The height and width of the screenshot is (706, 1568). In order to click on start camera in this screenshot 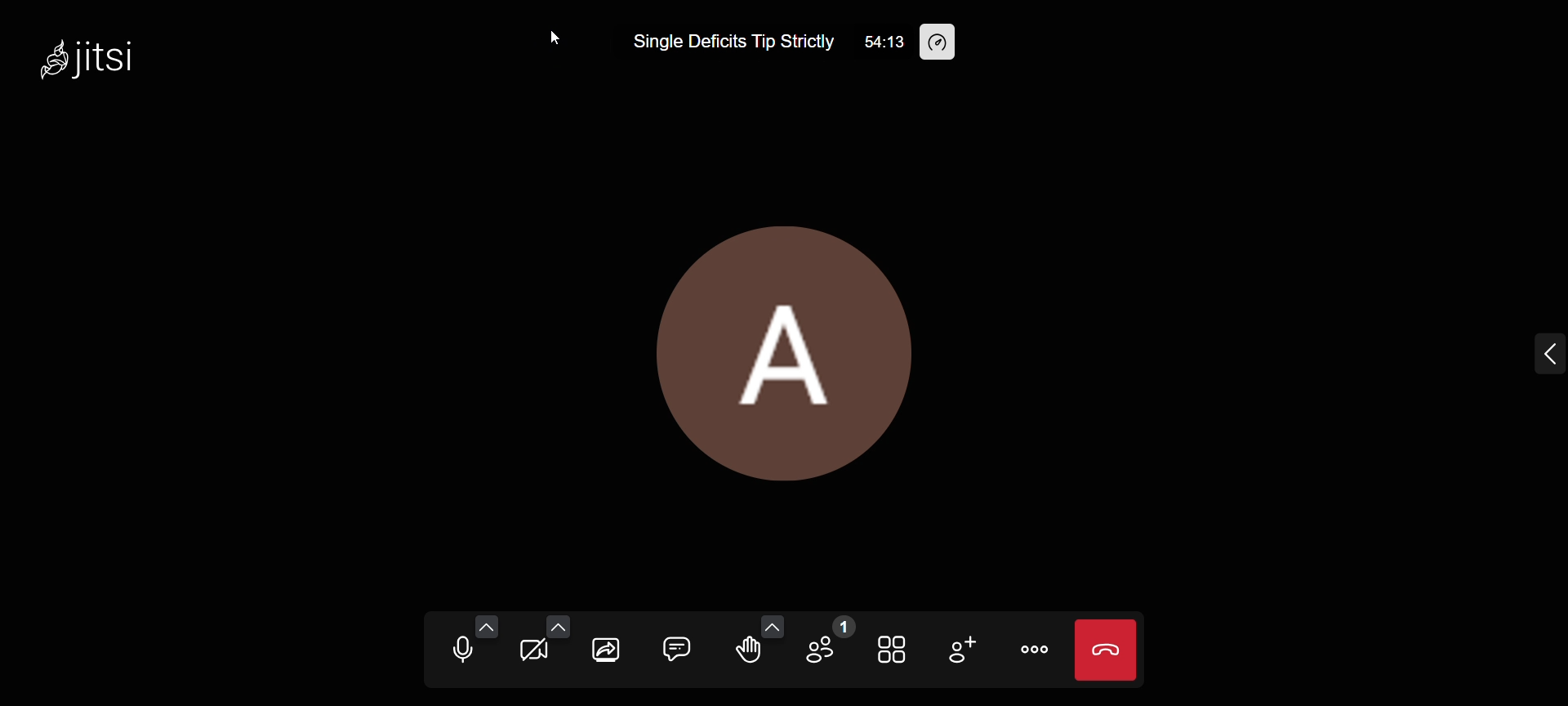, I will do `click(531, 653)`.